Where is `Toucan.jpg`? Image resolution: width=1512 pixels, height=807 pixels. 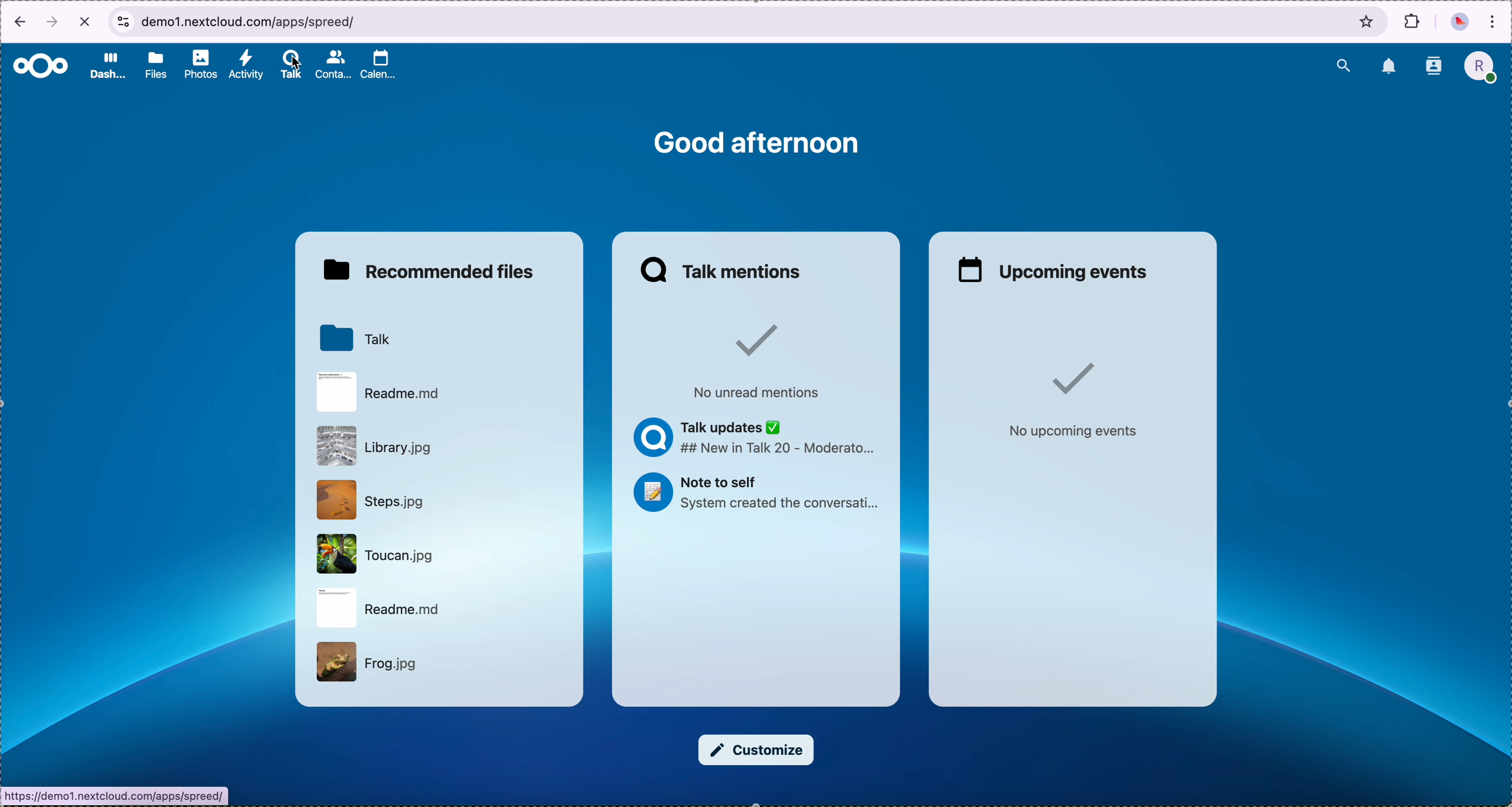
Toucan.jpg is located at coordinates (439, 553).